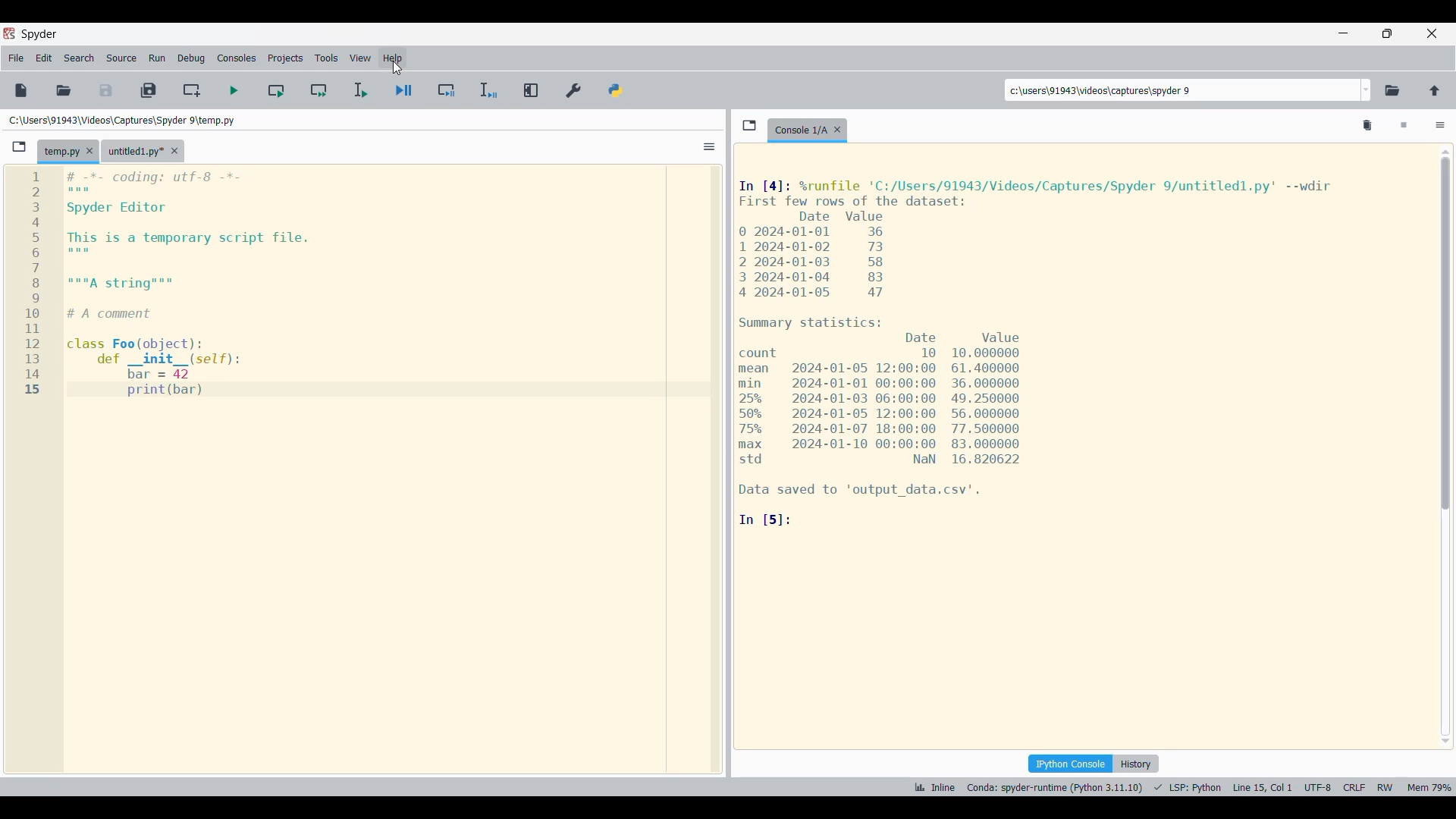 Image resolution: width=1456 pixels, height=819 pixels. Describe the element at coordinates (19, 147) in the screenshot. I see `Browse tabs` at that location.